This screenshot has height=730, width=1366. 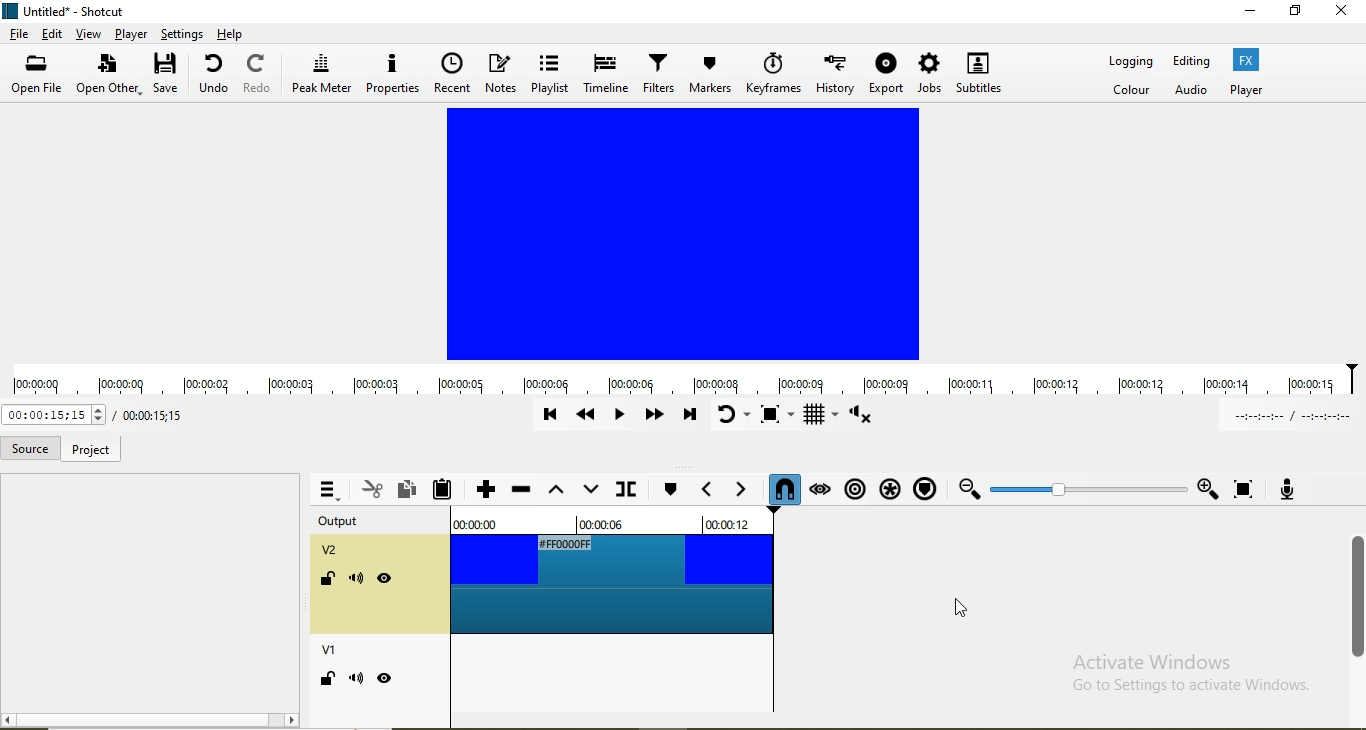 What do you see at coordinates (502, 73) in the screenshot?
I see `notes` at bounding box center [502, 73].